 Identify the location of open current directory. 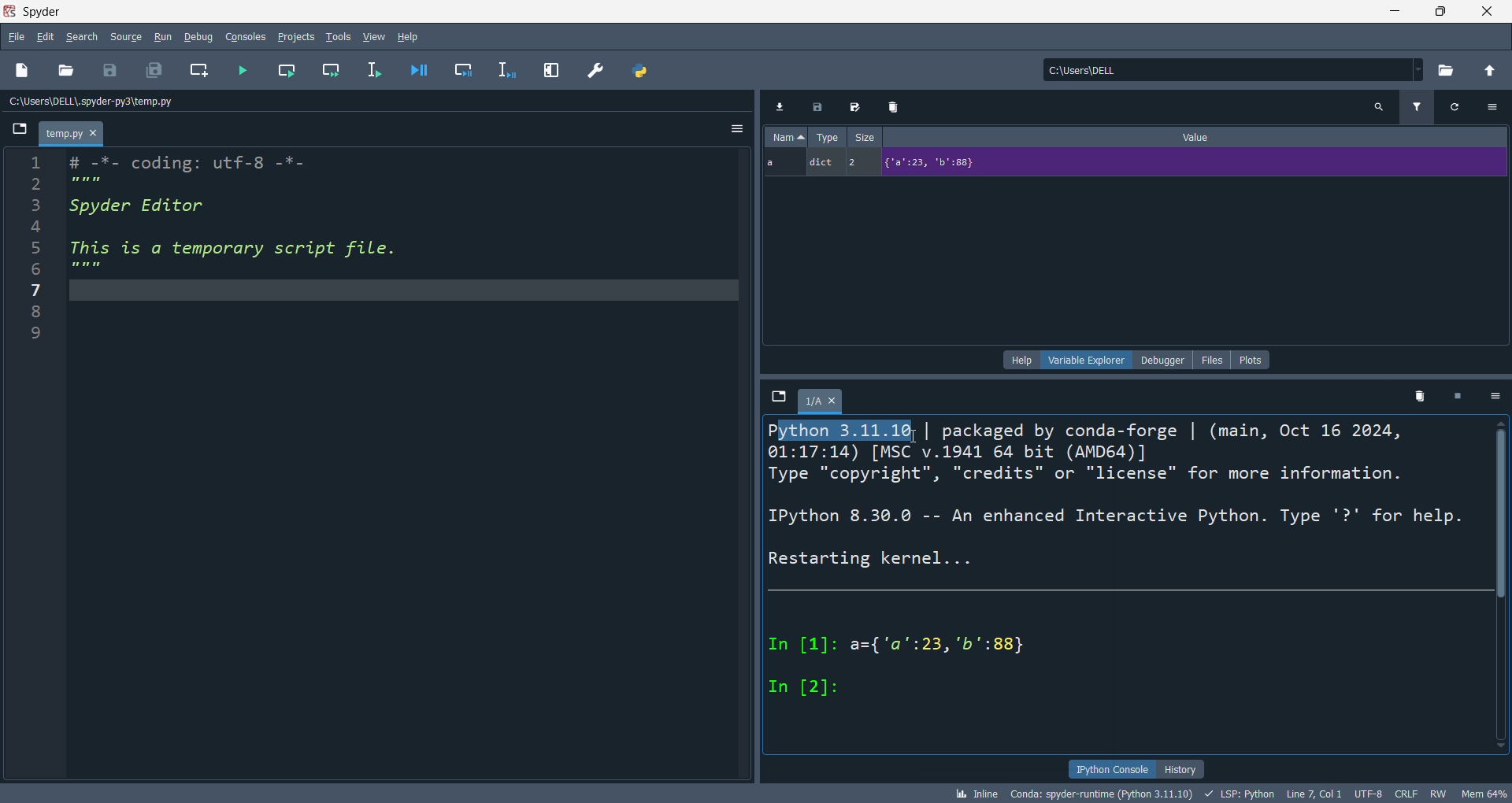
(1450, 71).